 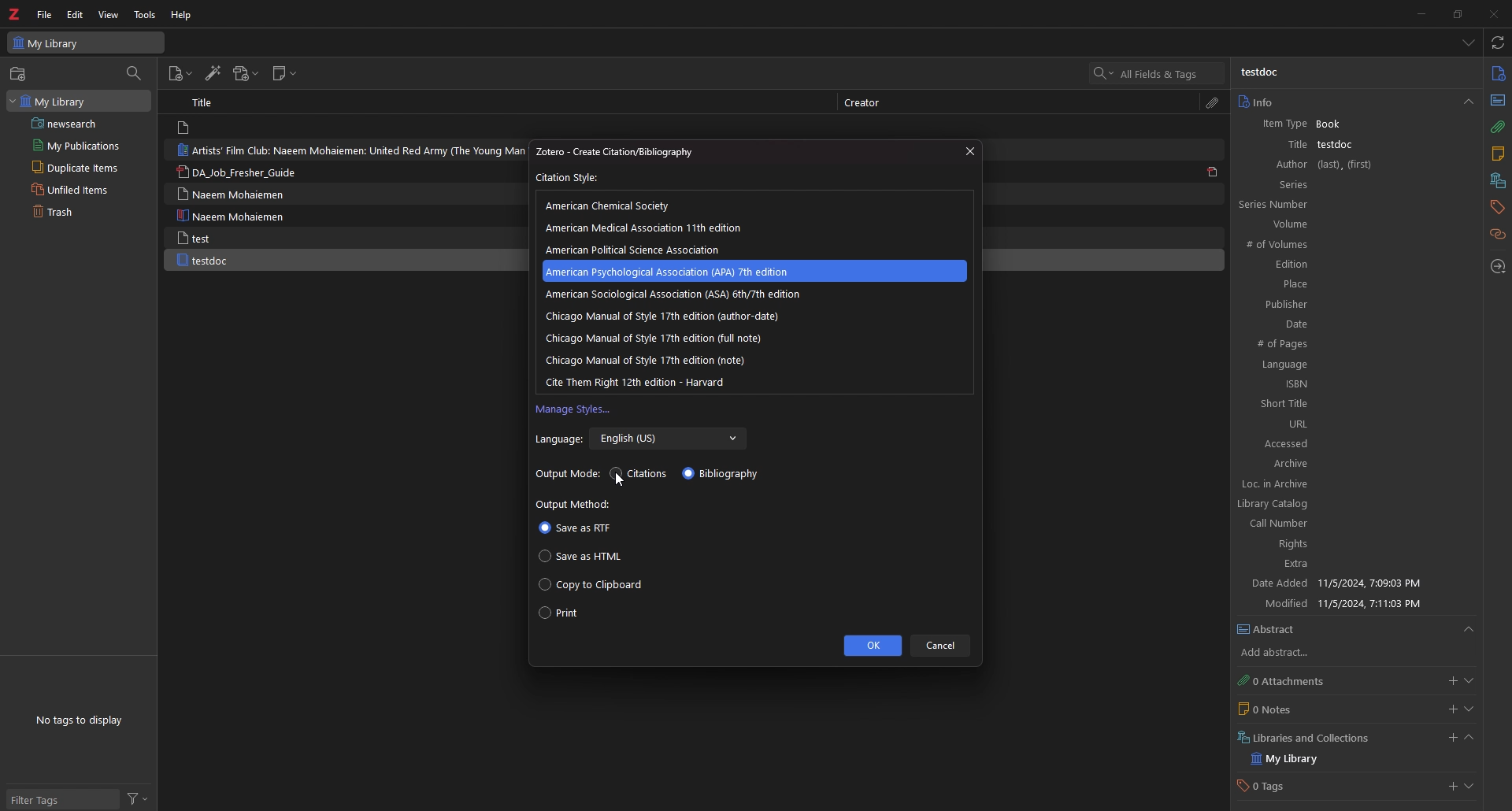 What do you see at coordinates (1354, 102) in the screenshot?
I see `info` at bounding box center [1354, 102].